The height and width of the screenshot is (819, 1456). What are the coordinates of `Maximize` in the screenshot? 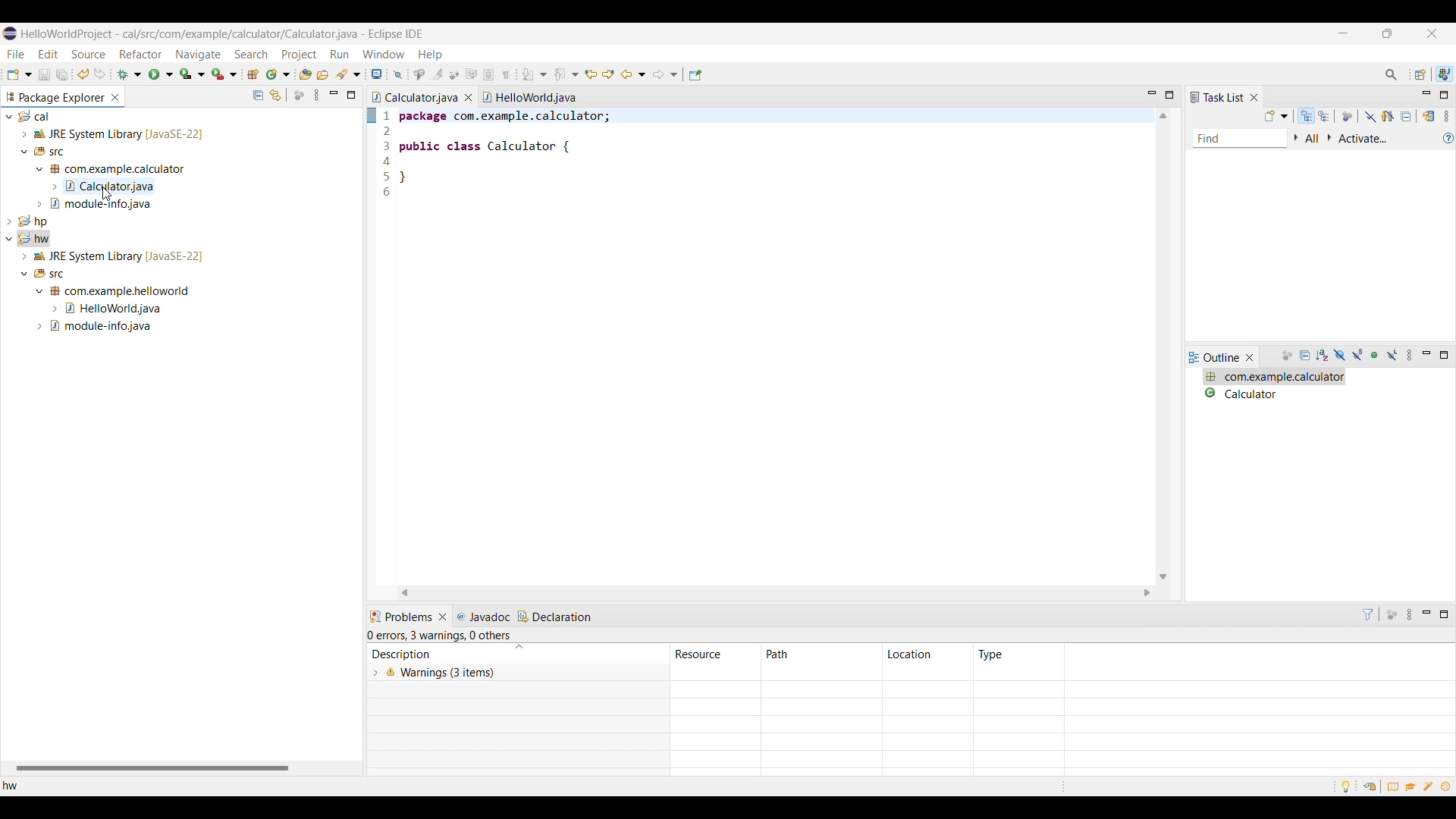 It's located at (351, 95).